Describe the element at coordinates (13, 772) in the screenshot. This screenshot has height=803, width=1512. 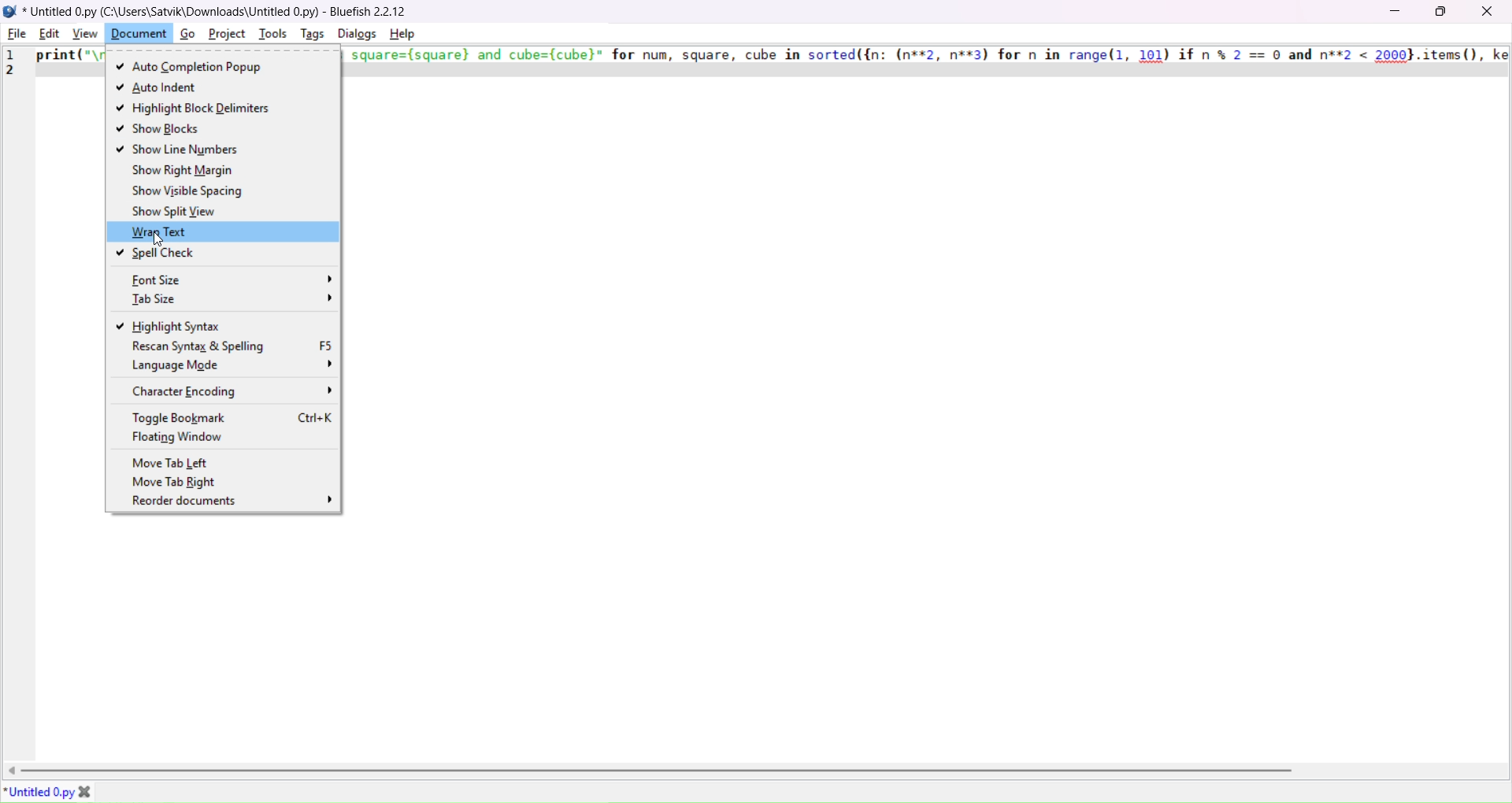
I see `move left` at that location.